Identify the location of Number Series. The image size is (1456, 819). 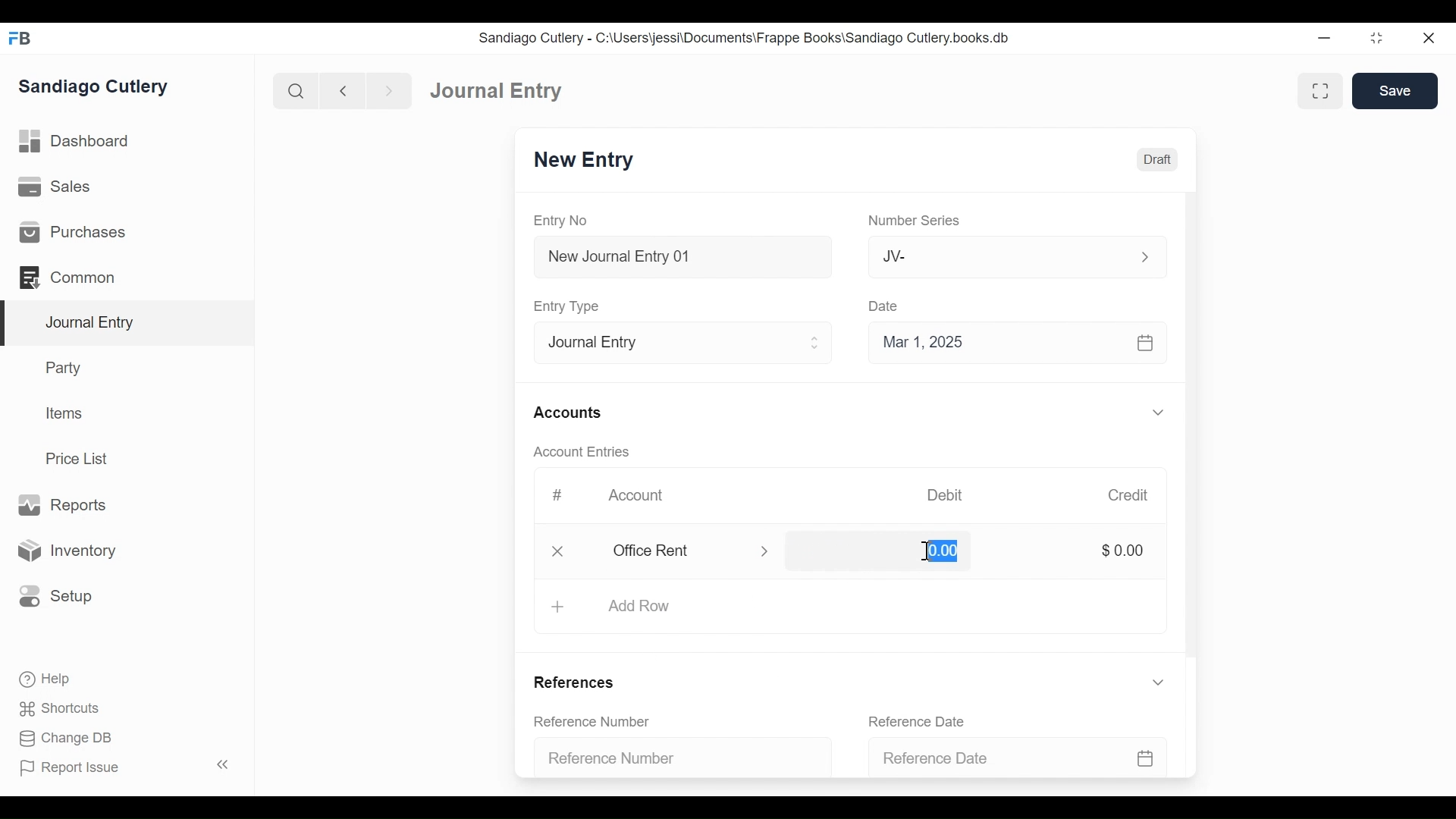
(912, 221).